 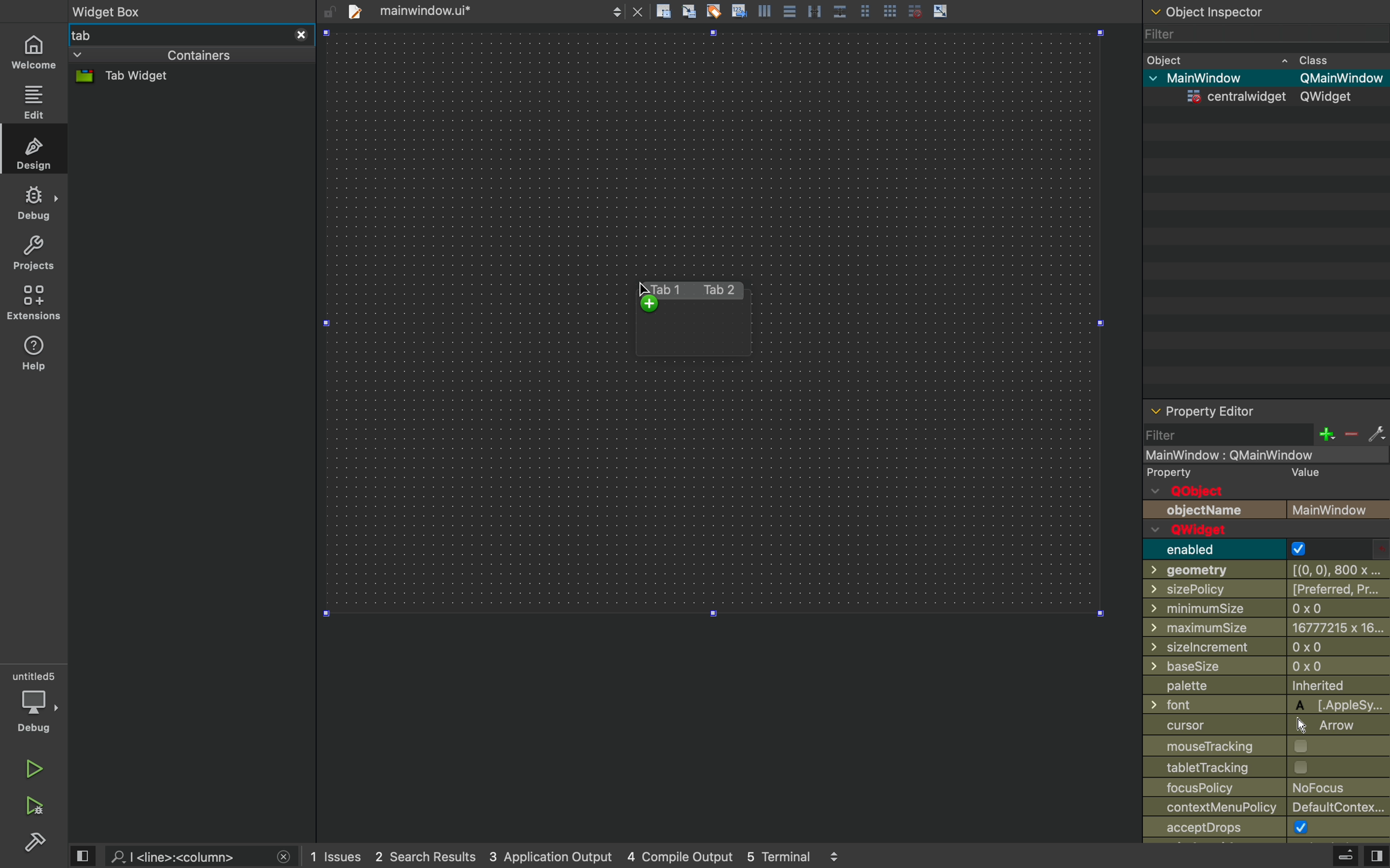 I want to click on align left, so click(x=764, y=10).